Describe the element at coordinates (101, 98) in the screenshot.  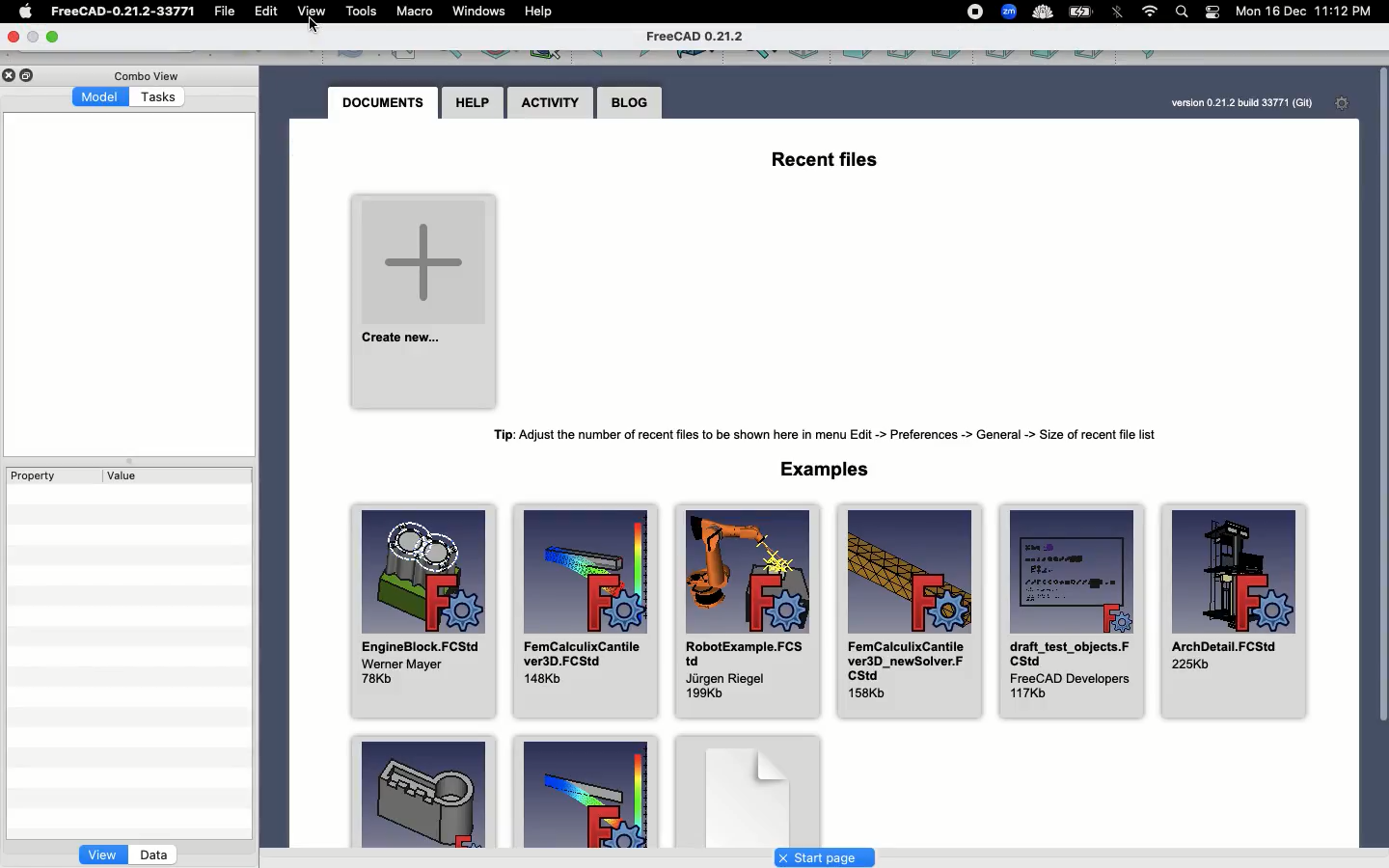
I see `Model` at that location.